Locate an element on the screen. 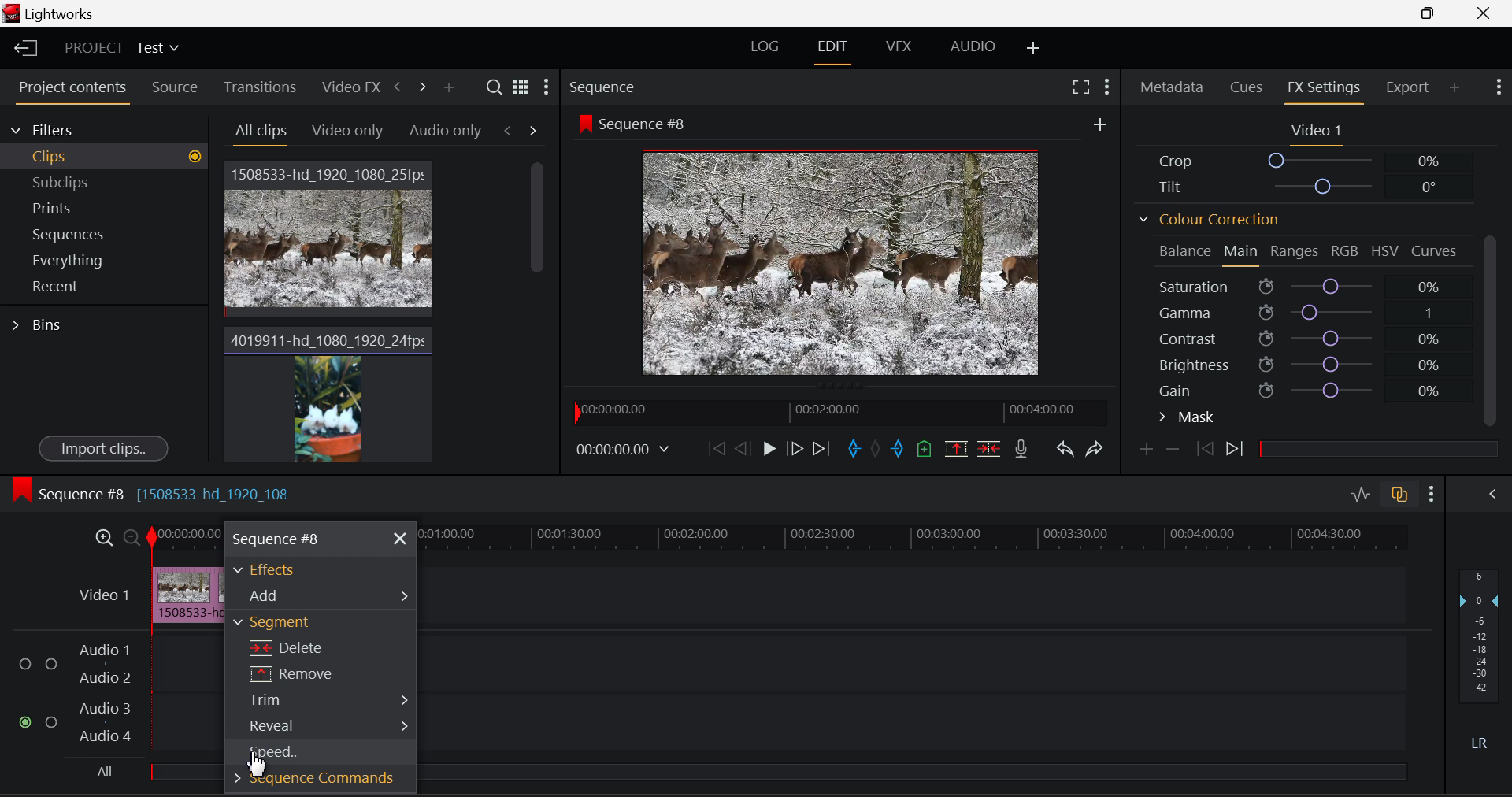 This screenshot has width=1512, height=797. Cursor on Speed is located at coordinates (318, 755).